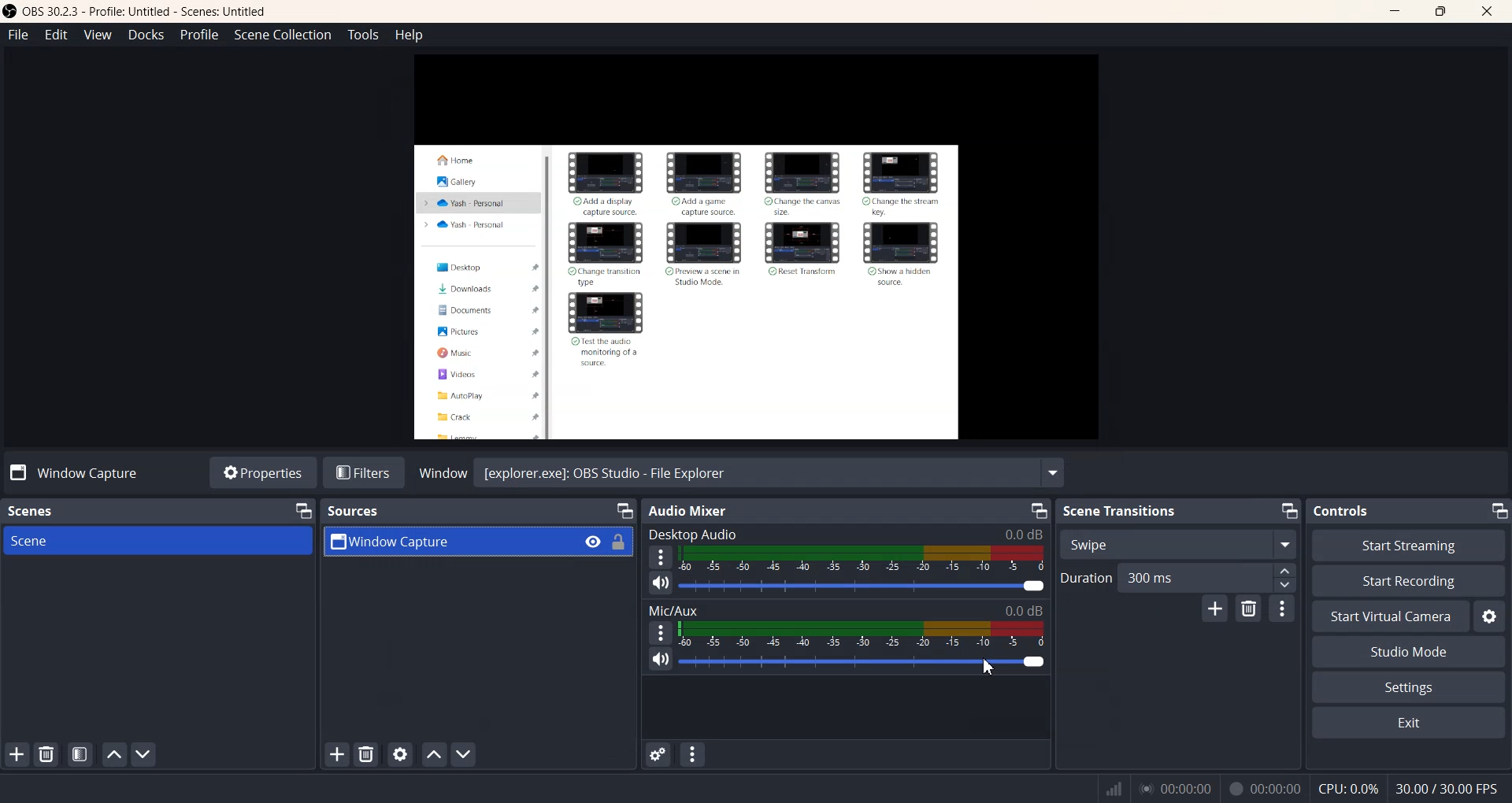 The height and width of the screenshot is (803, 1512). Describe the element at coordinates (862, 635) in the screenshot. I see `Volume Indicator` at that location.